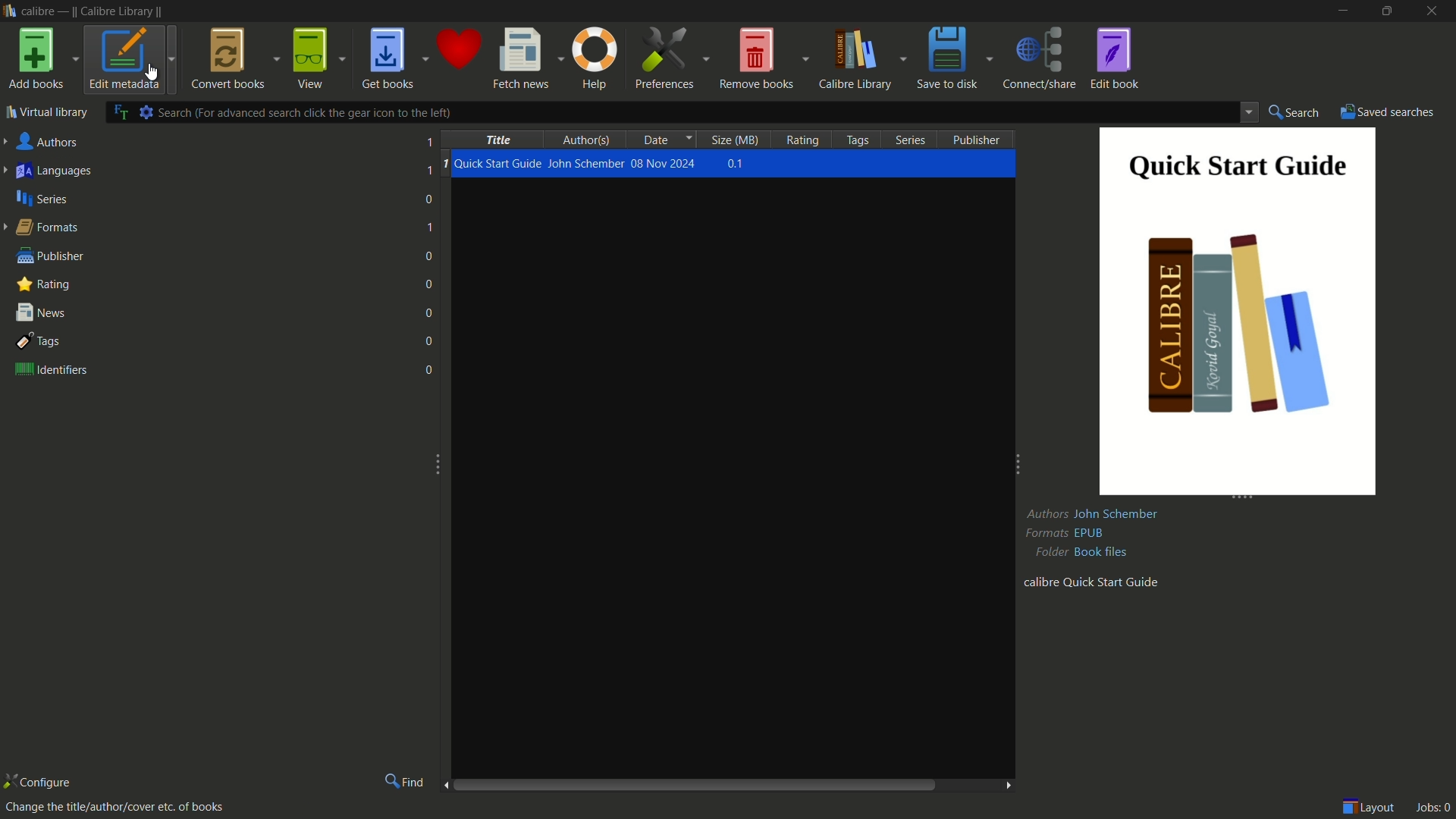  Describe the element at coordinates (39, 312) in the screenshot. I see `news` at that location.